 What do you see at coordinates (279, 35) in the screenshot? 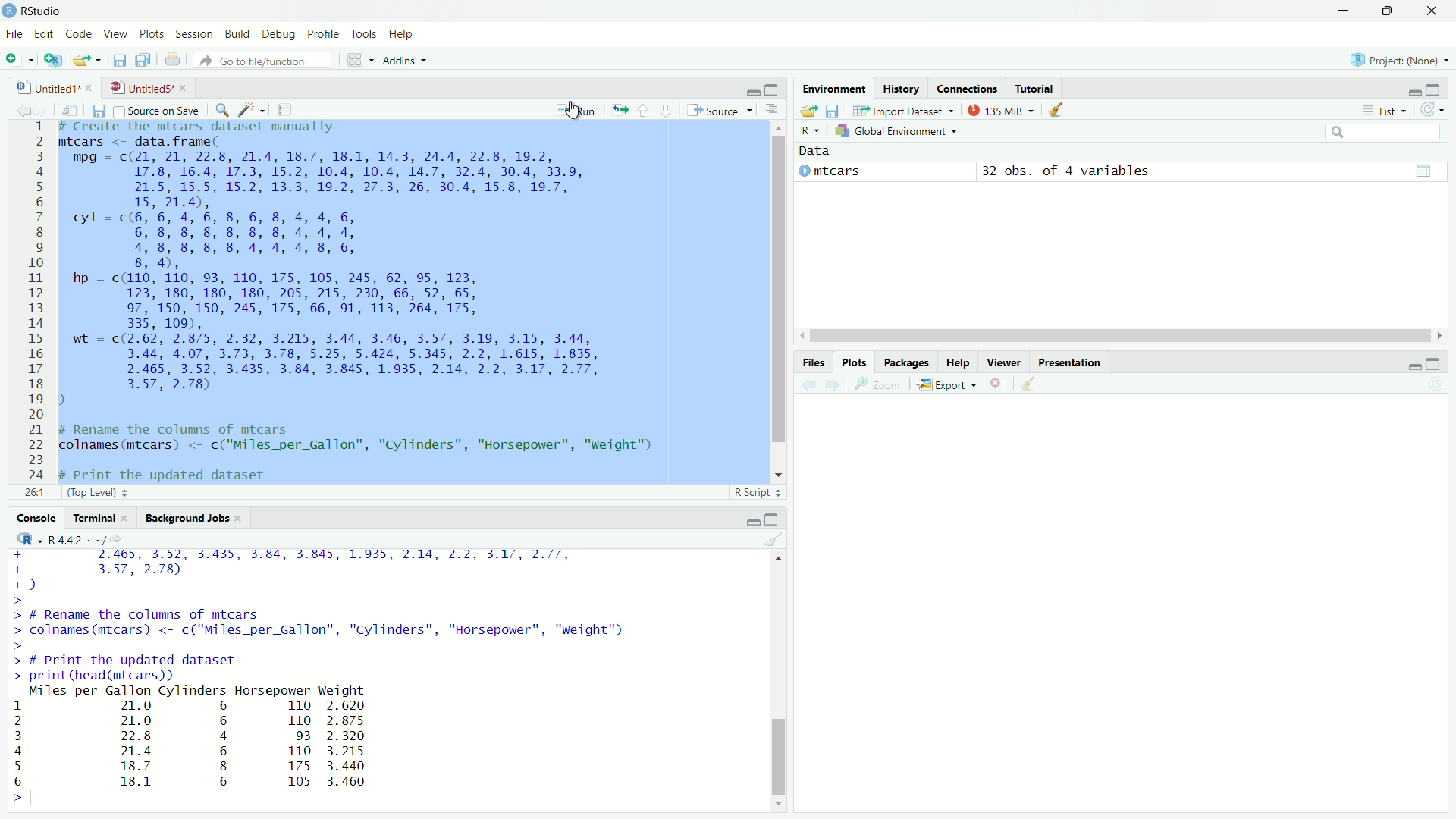
I see `Debug` at bounding box center [279, 35].